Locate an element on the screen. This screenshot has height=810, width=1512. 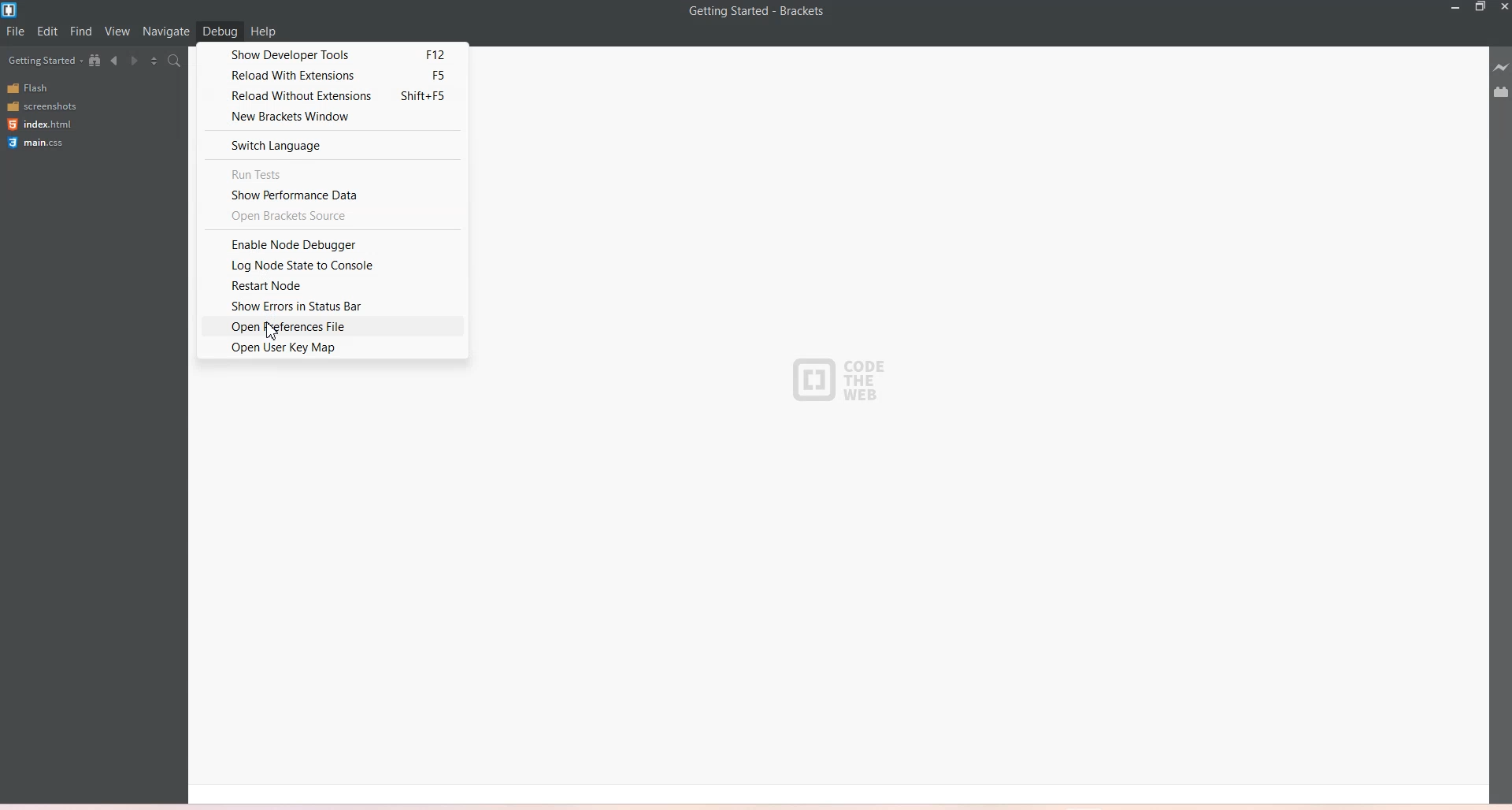
View is located at coordinates (117, 32).